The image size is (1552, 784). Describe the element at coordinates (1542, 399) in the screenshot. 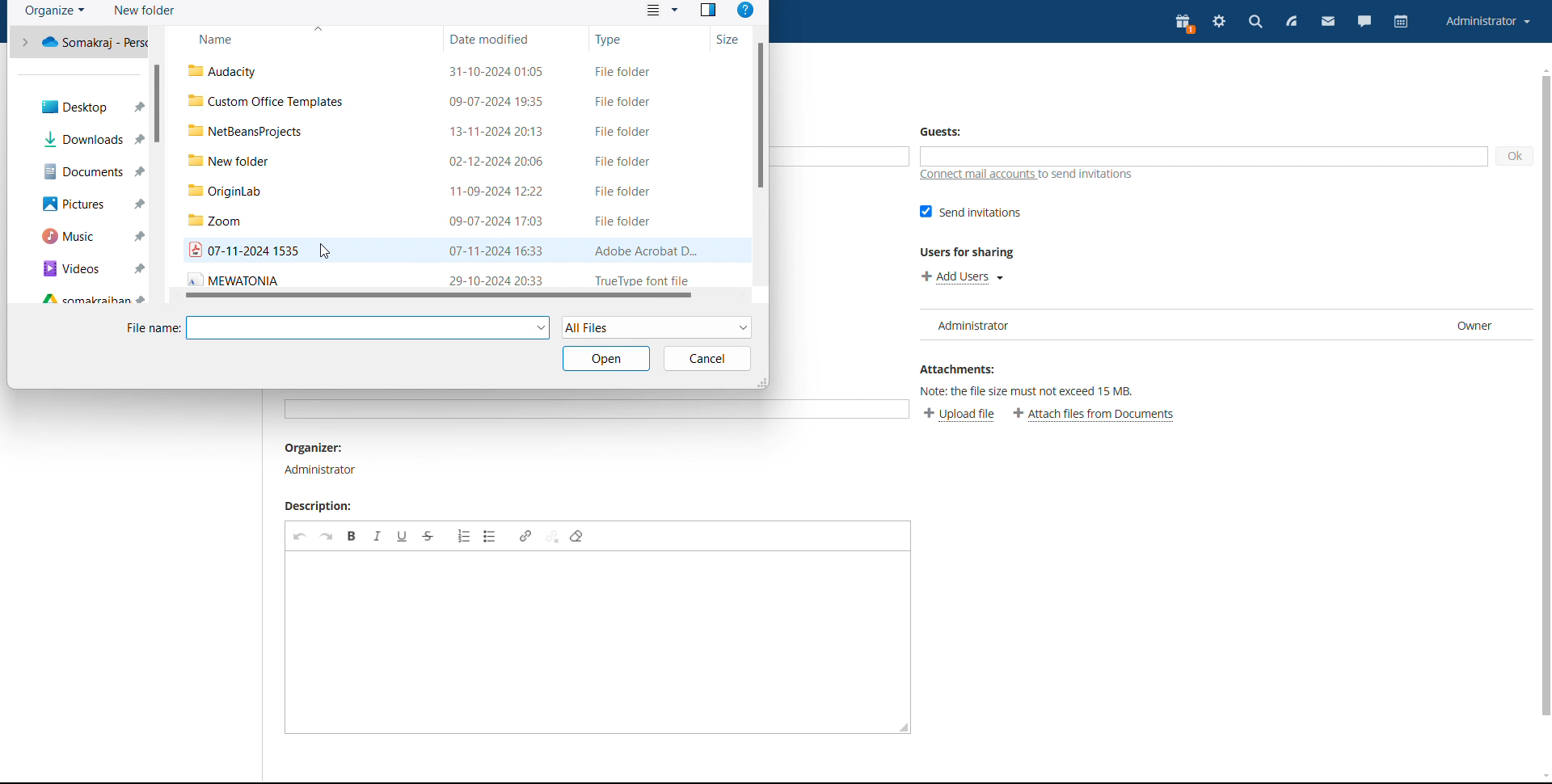

I see `` at that location.